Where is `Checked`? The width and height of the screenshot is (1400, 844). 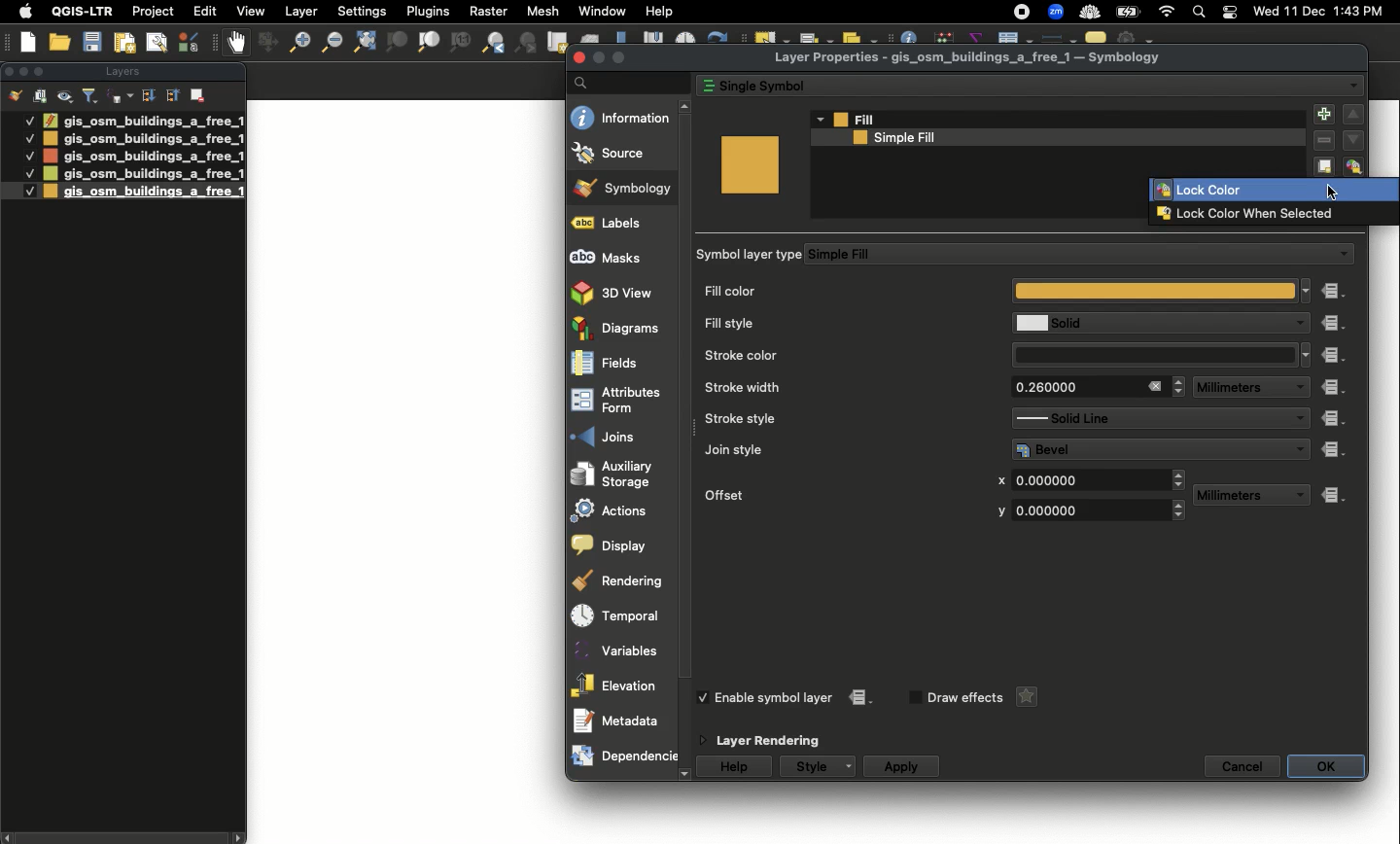
Checked is located at coordinates (19, 191).